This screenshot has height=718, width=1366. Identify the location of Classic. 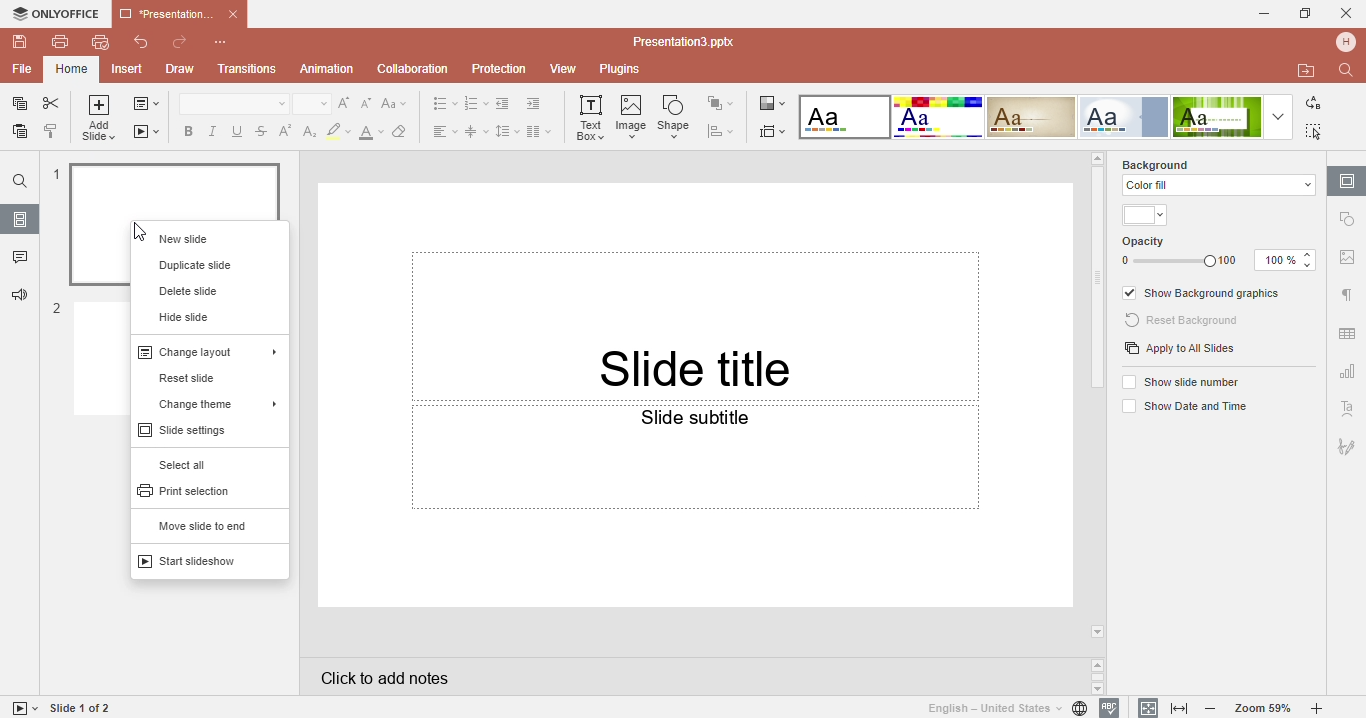
(1032, 117).